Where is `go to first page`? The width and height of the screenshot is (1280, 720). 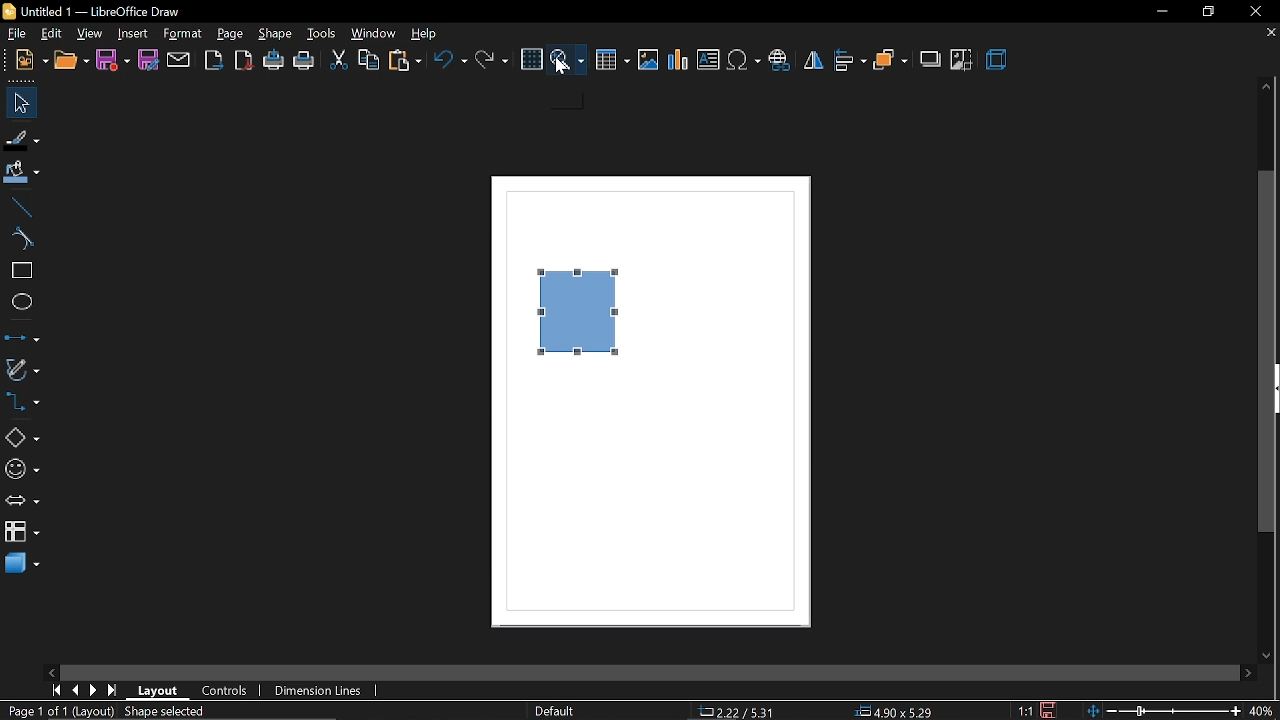 go to first page is located at coordinates (58, 691).